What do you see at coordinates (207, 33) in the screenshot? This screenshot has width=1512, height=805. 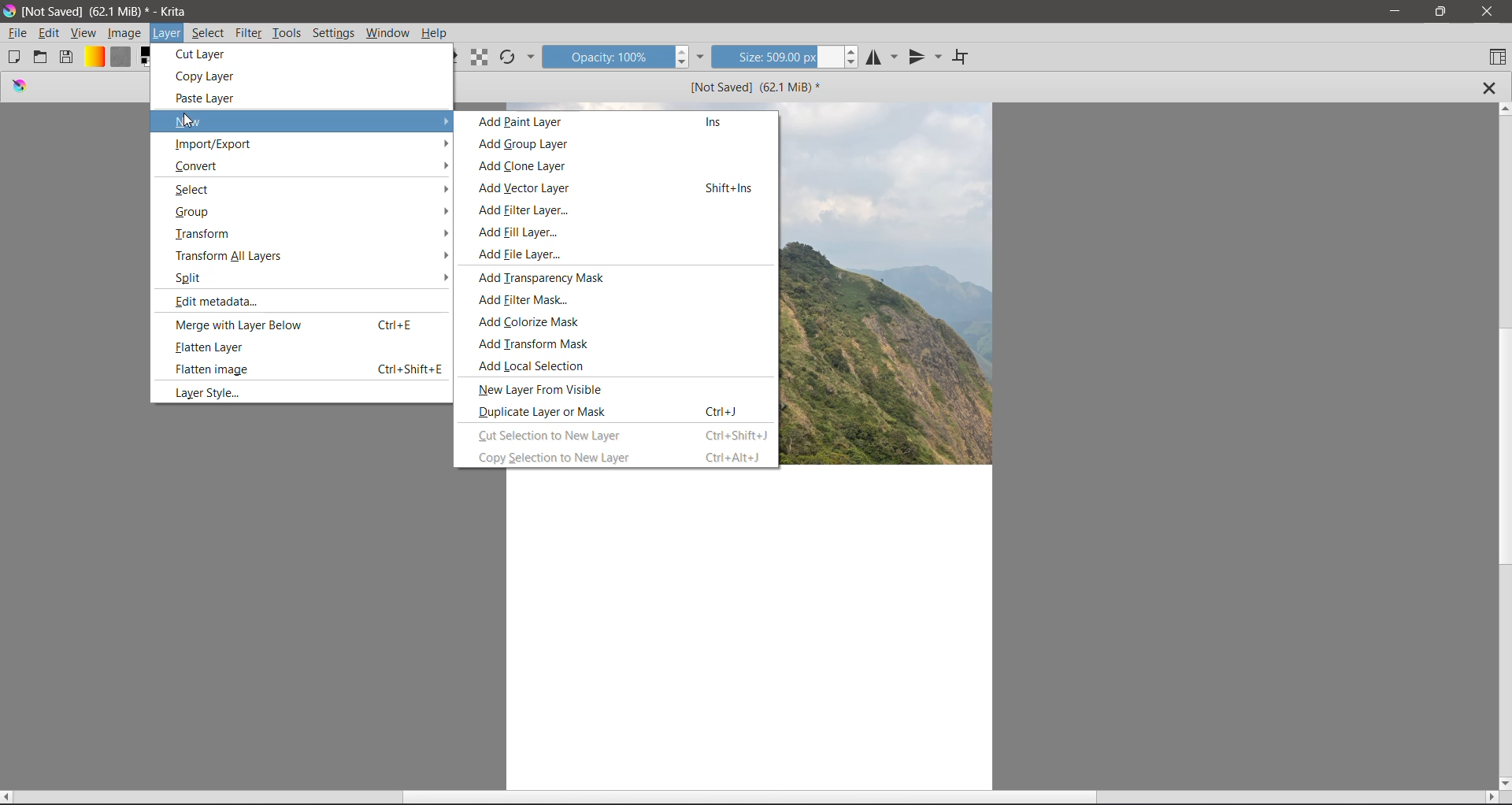 I see `Select` at bounding box center [207, 33].